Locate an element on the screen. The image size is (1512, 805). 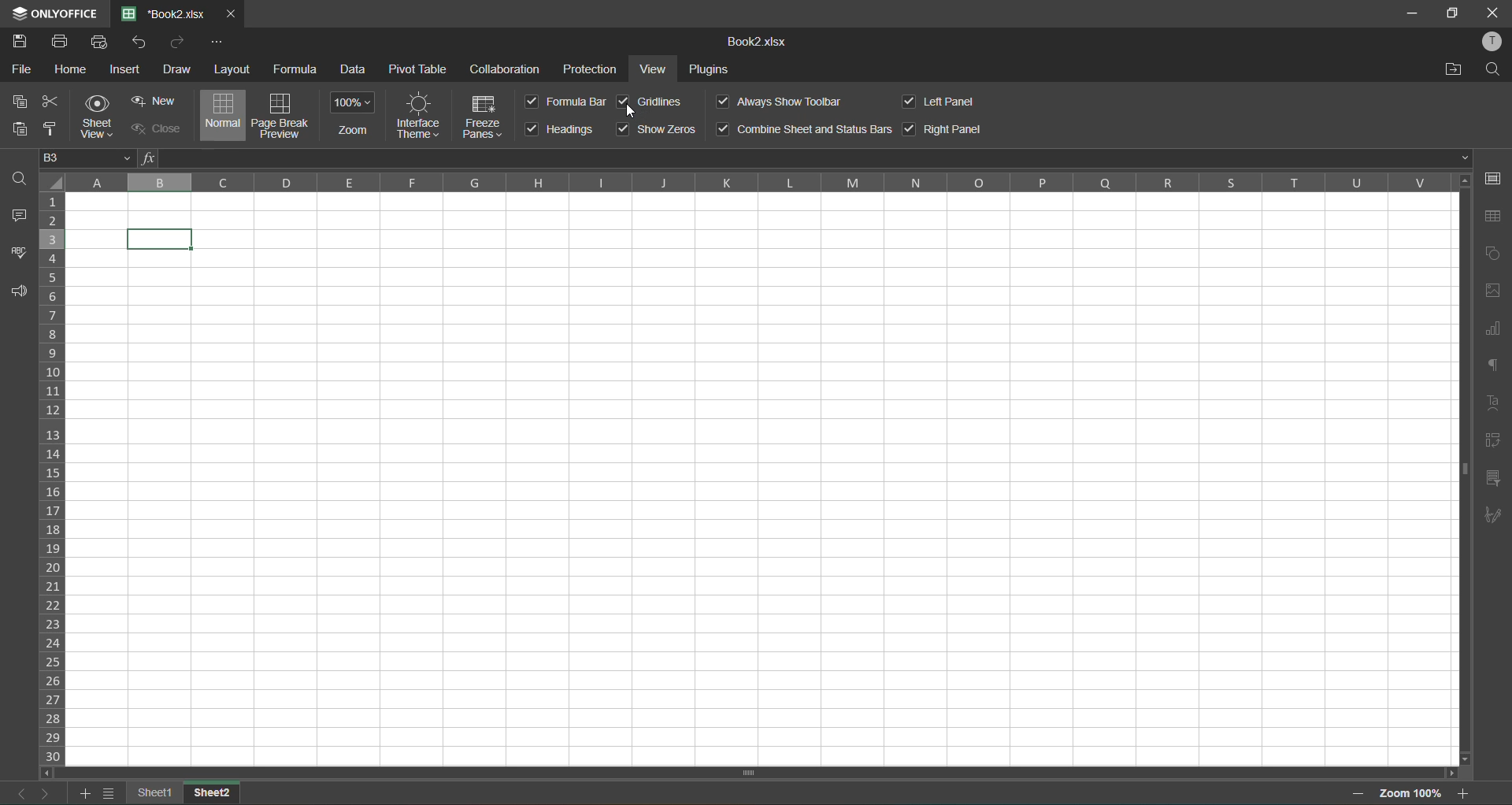
combine sheet and status bars is located at coordinates (802, 128).